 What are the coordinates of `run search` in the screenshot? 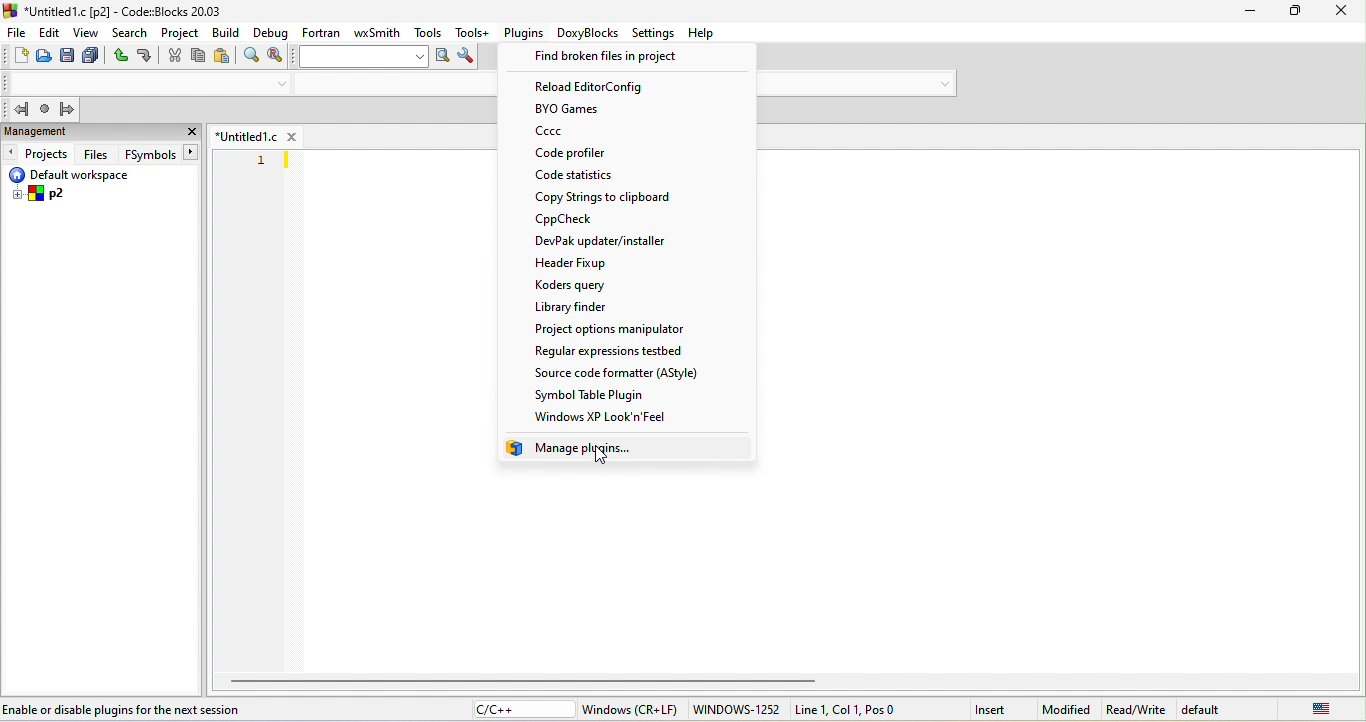 It's located at (444, 58).